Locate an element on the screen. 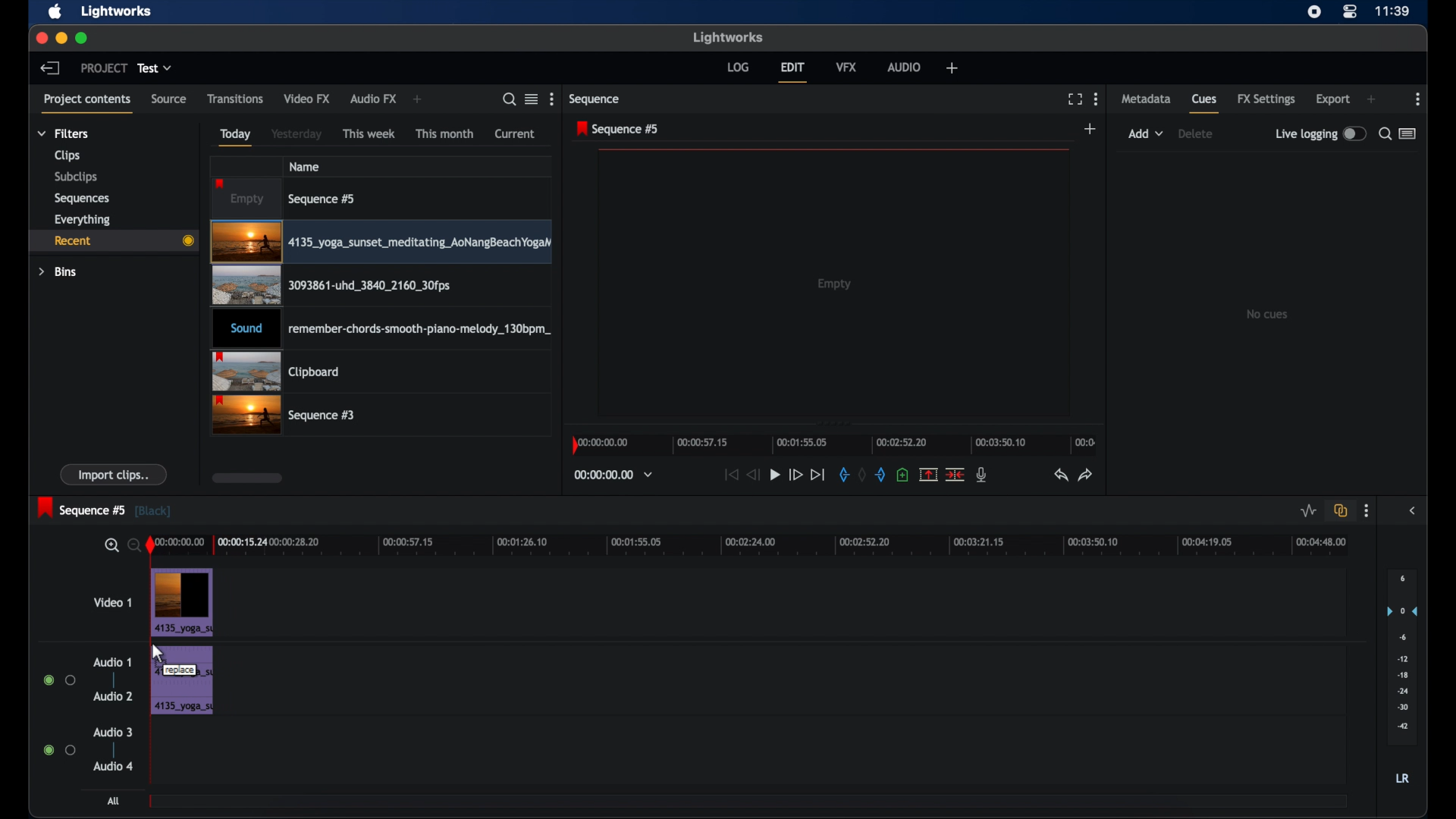 The height and width of the screenshot is (819, 1456). metadata is located at coordinates (1145, 99).